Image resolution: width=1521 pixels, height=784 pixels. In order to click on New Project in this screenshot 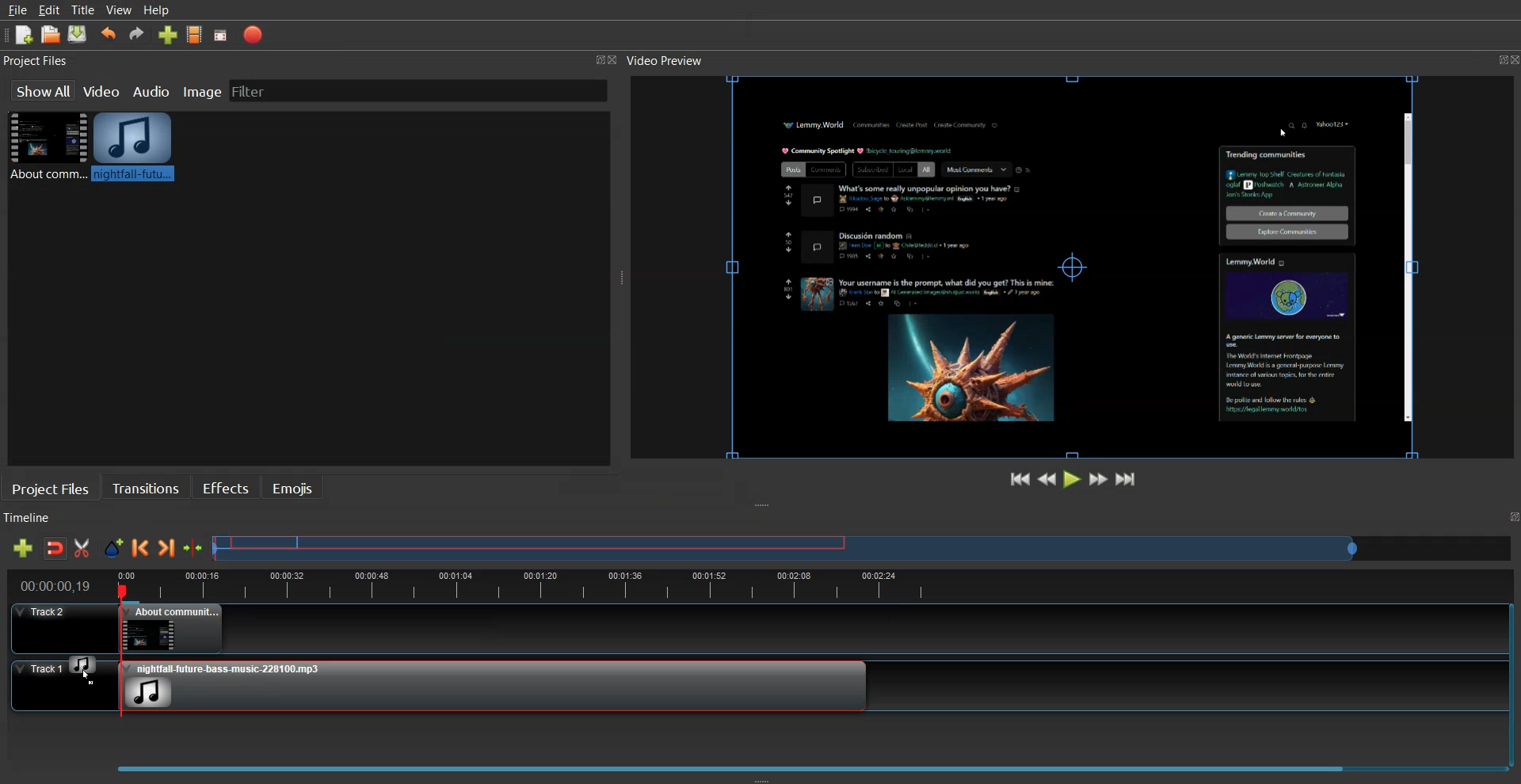, I will do `click(25, 36)`.